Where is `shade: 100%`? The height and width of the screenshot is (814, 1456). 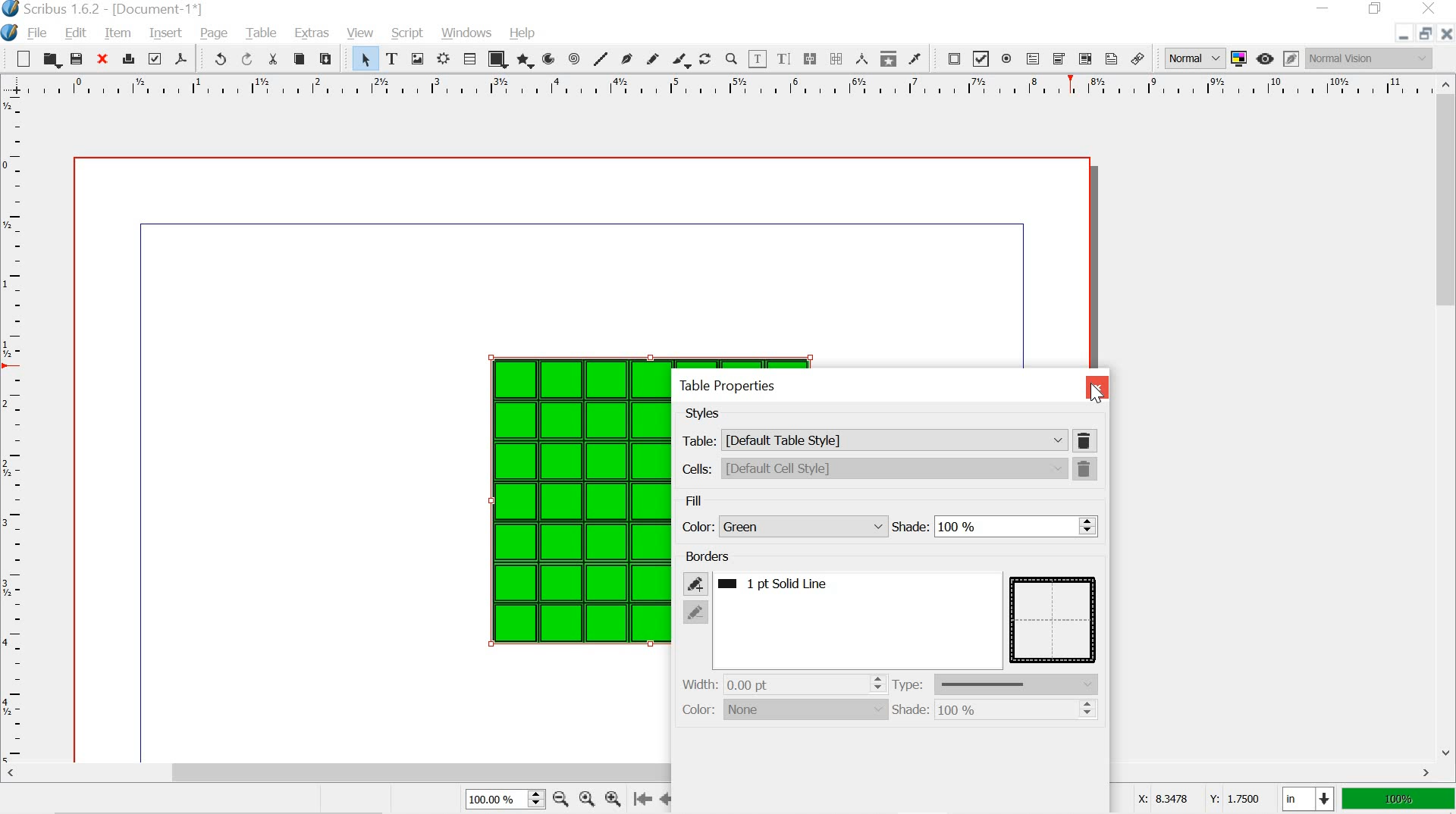
shade: 100% is located at coordinates (939, 711).